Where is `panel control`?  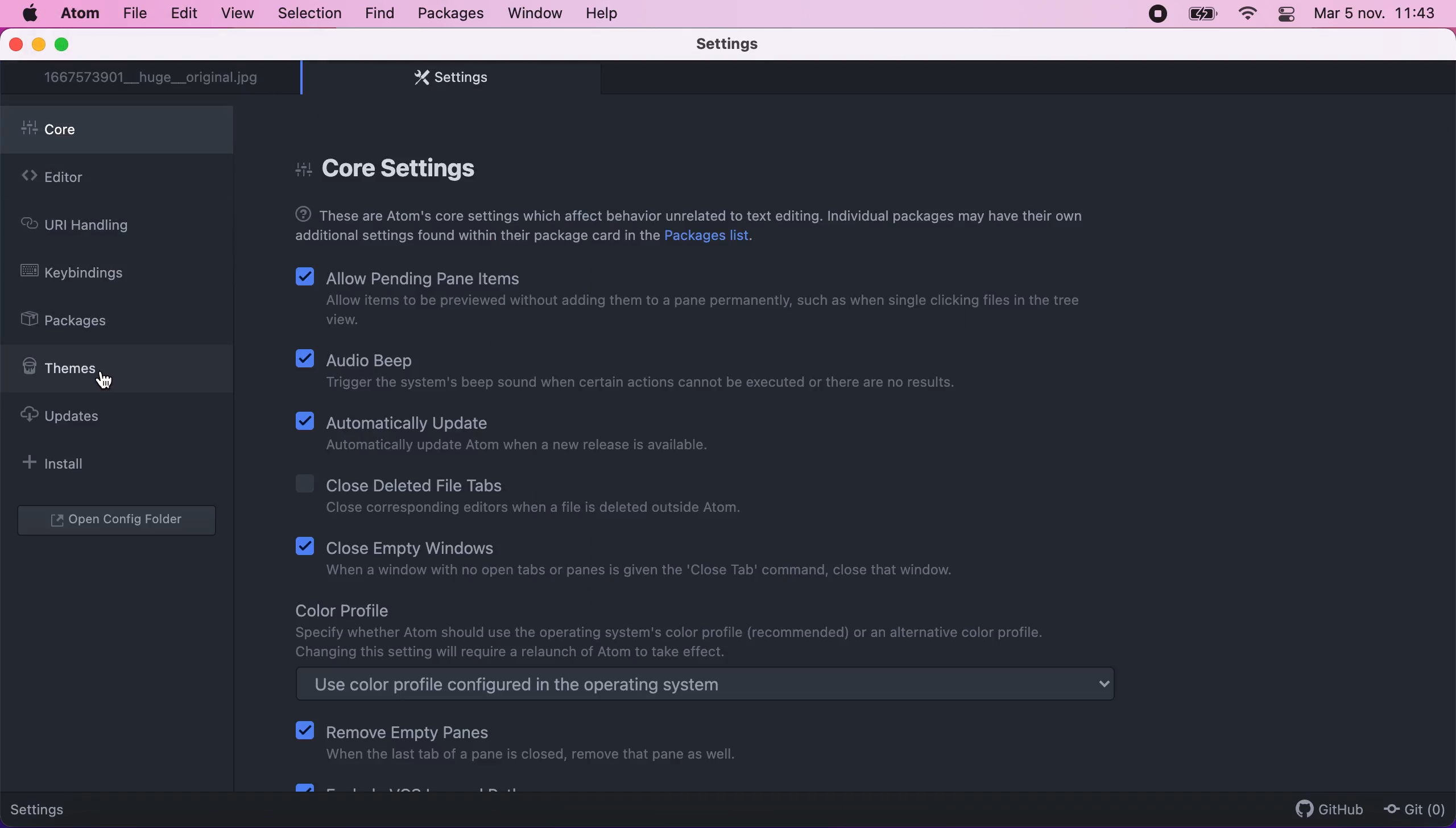
panel control is located at coordinates (1286, 15).